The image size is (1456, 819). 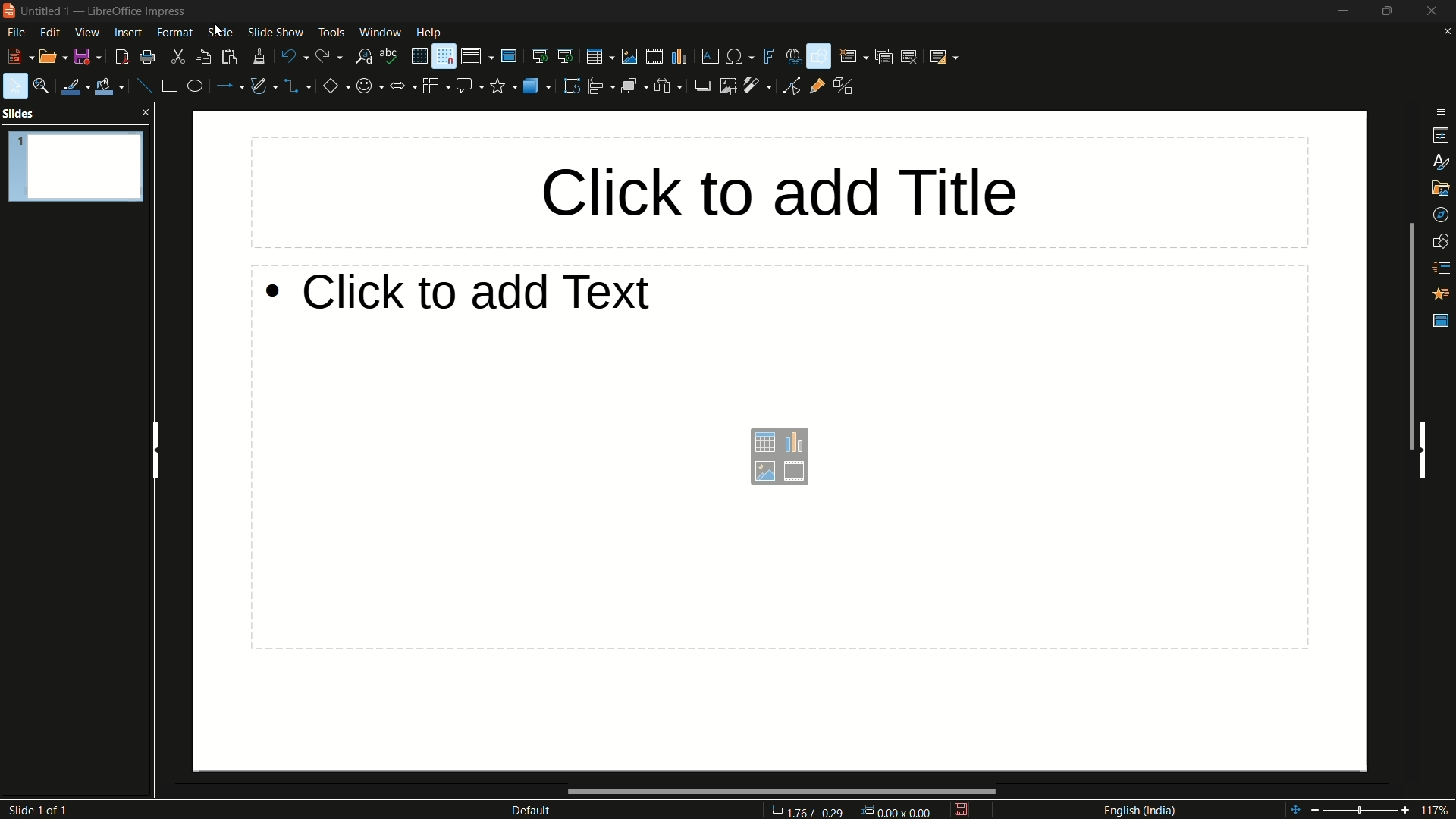 I want to click on 3d objects, so click(x=538, y=86).